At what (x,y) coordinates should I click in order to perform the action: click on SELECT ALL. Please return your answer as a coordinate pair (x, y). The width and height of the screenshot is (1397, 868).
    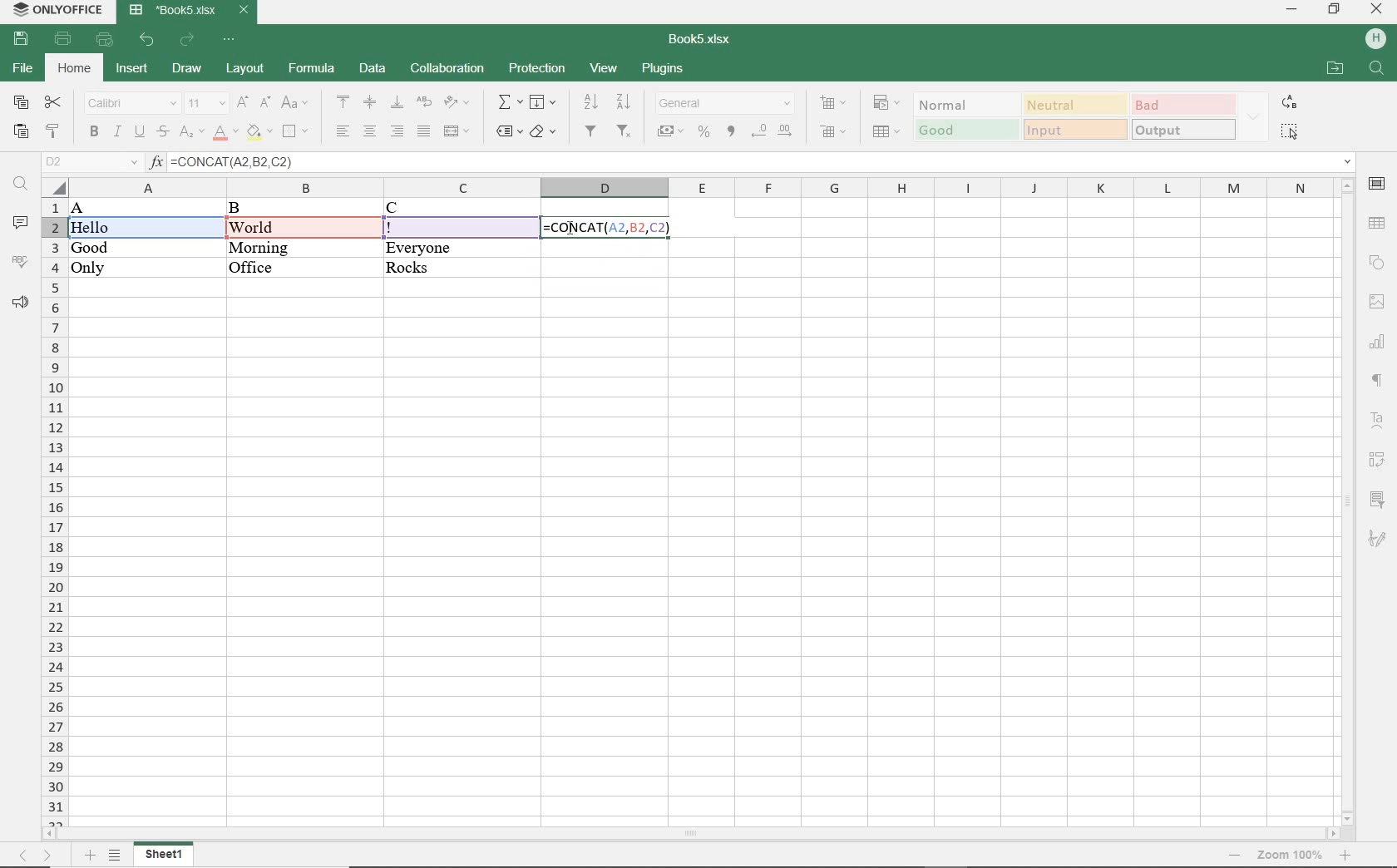
    Looking at the image, I should click on (1290, 132).